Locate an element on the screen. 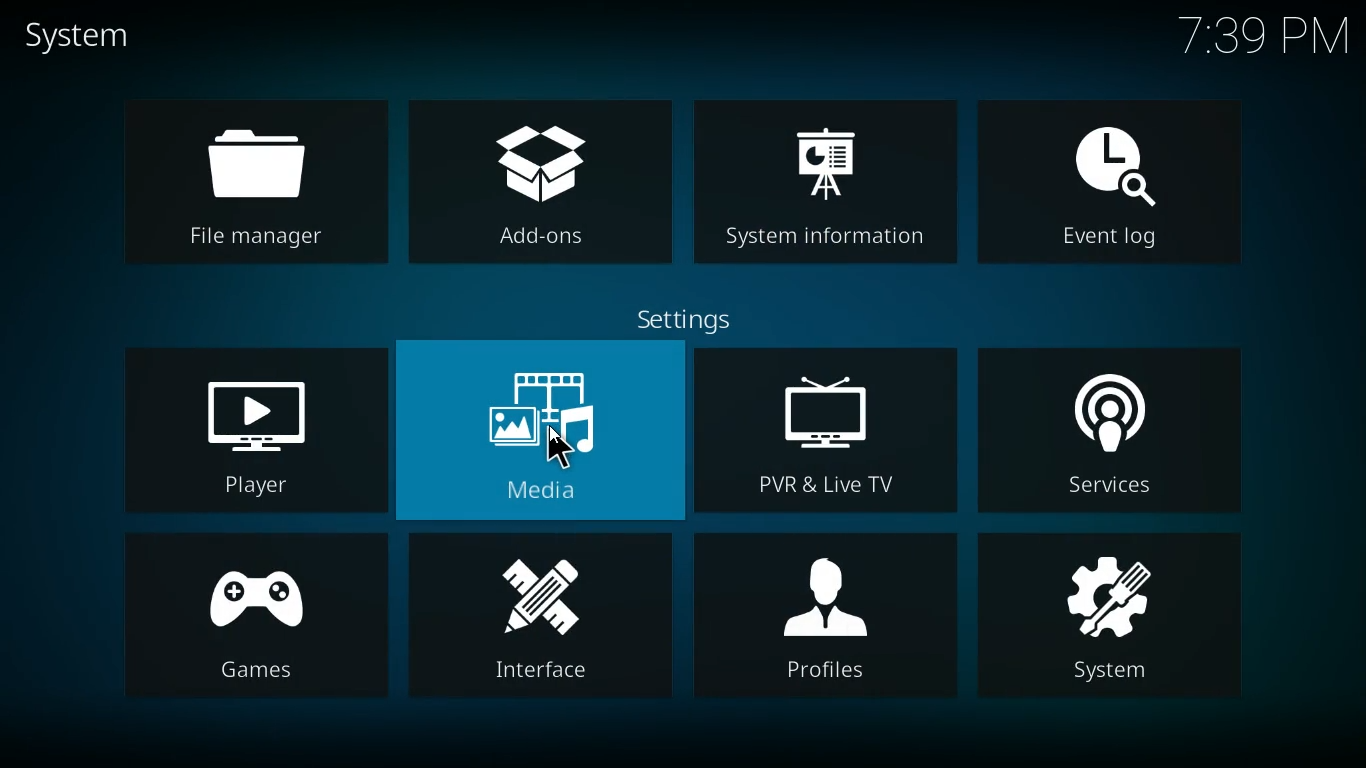 This screenshot has width=1366, height=768. services is located at coordinates (1111, 432).